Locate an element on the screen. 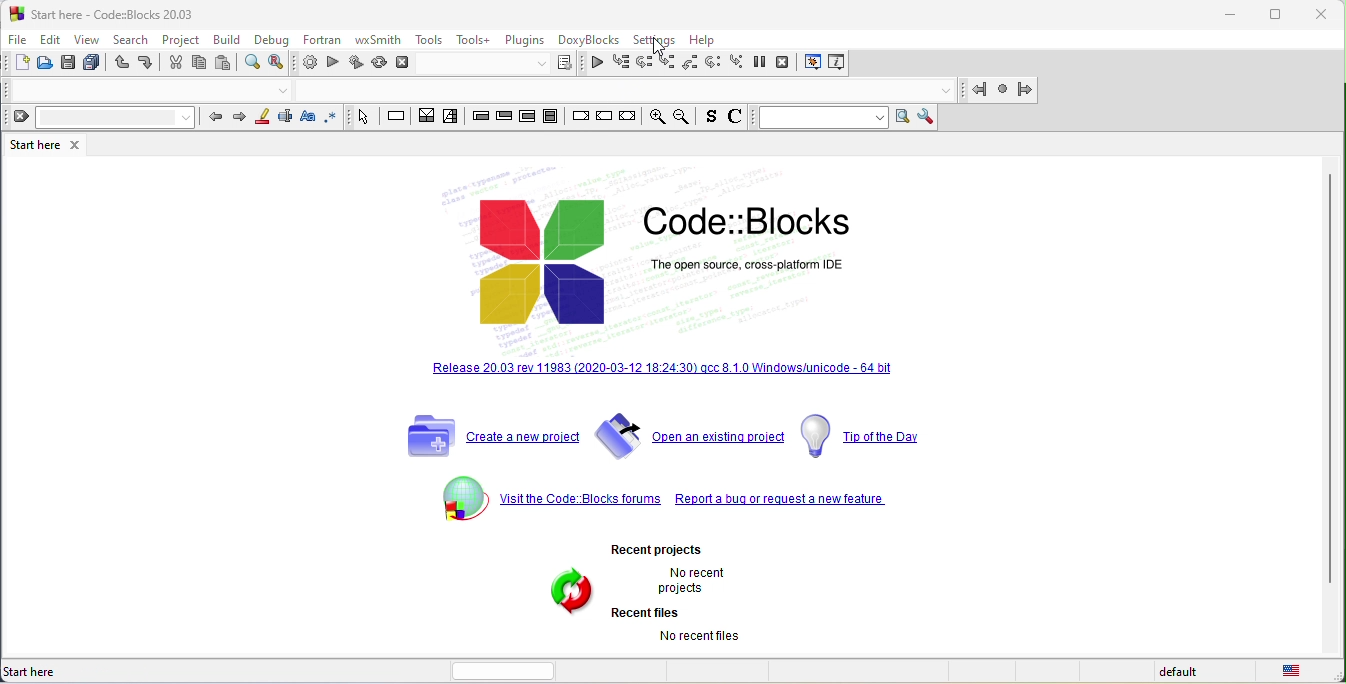  vertical scroll bar is located at coordinates (1329, 382).